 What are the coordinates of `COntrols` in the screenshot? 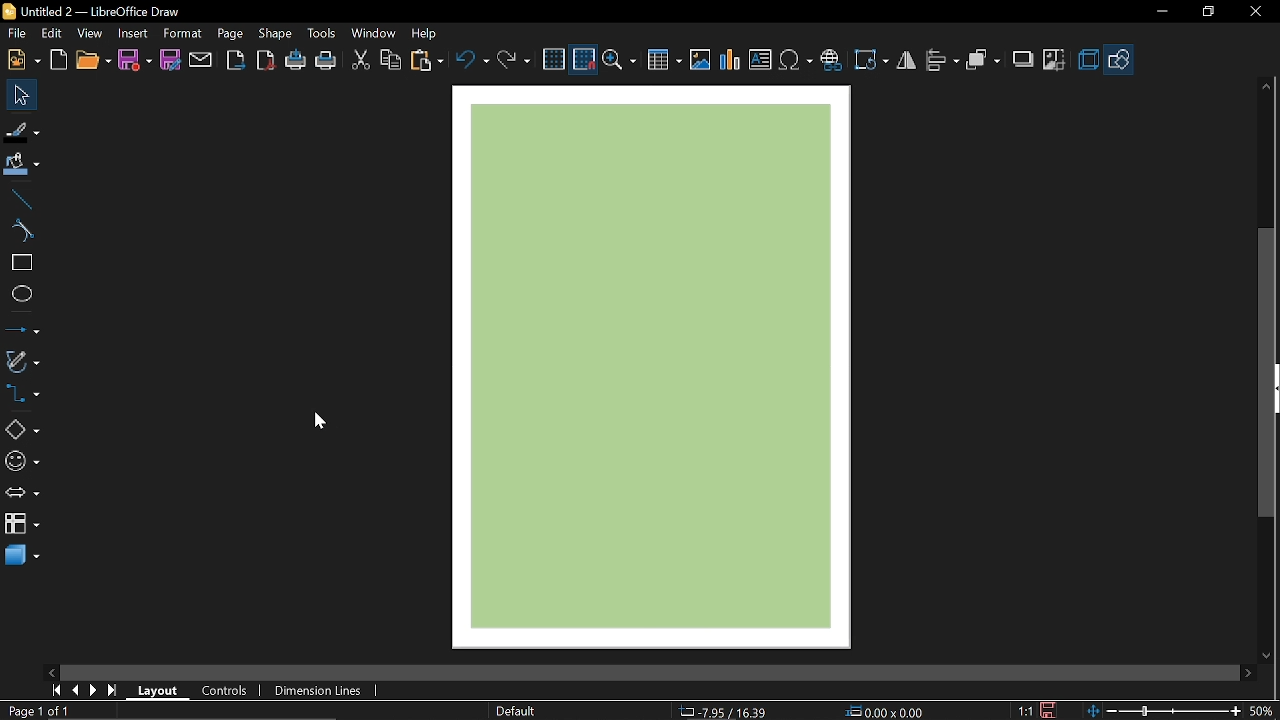 It's located at (230, 690).